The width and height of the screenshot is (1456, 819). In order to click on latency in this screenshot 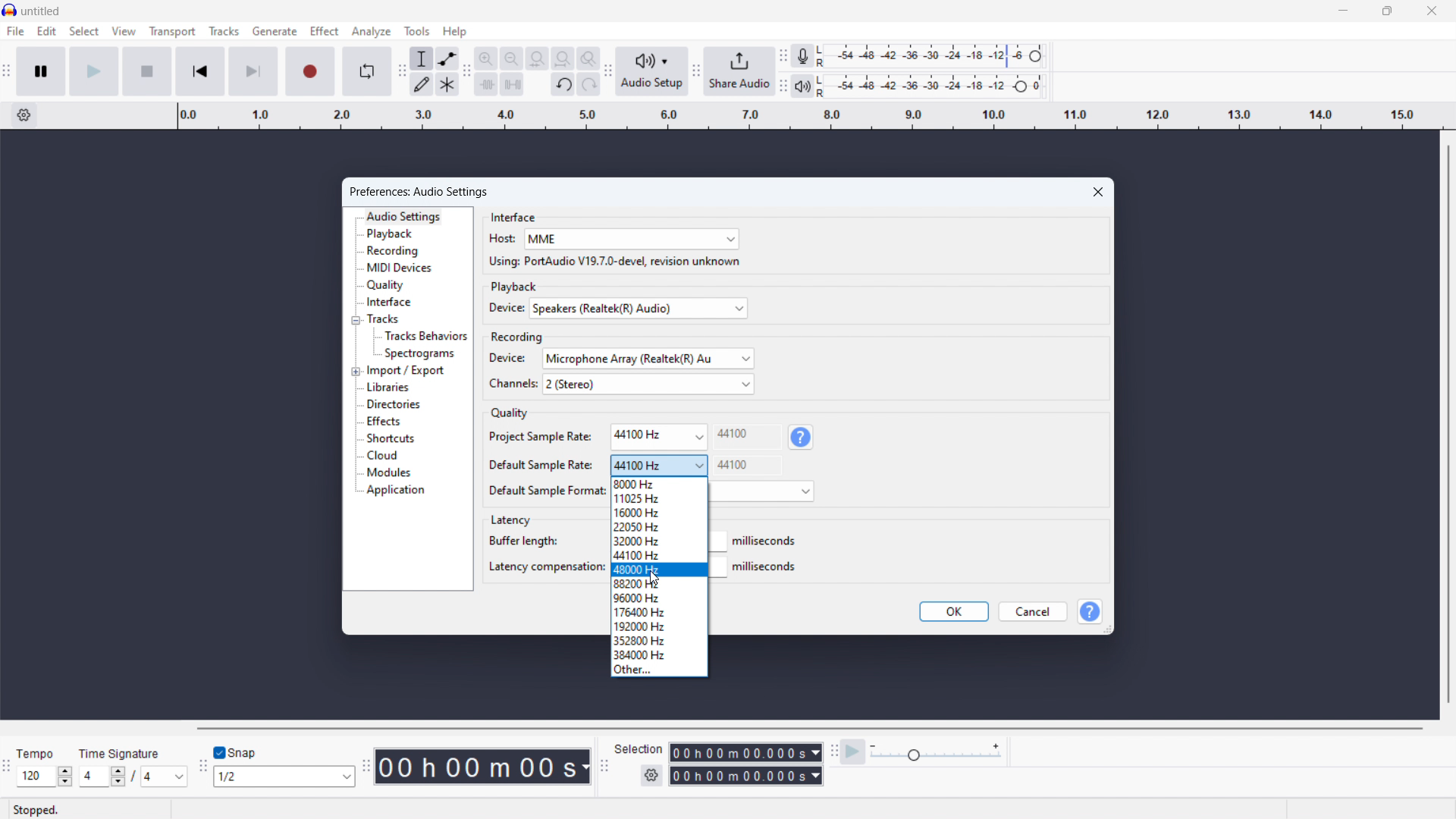, I will do `click(510, 521)`.